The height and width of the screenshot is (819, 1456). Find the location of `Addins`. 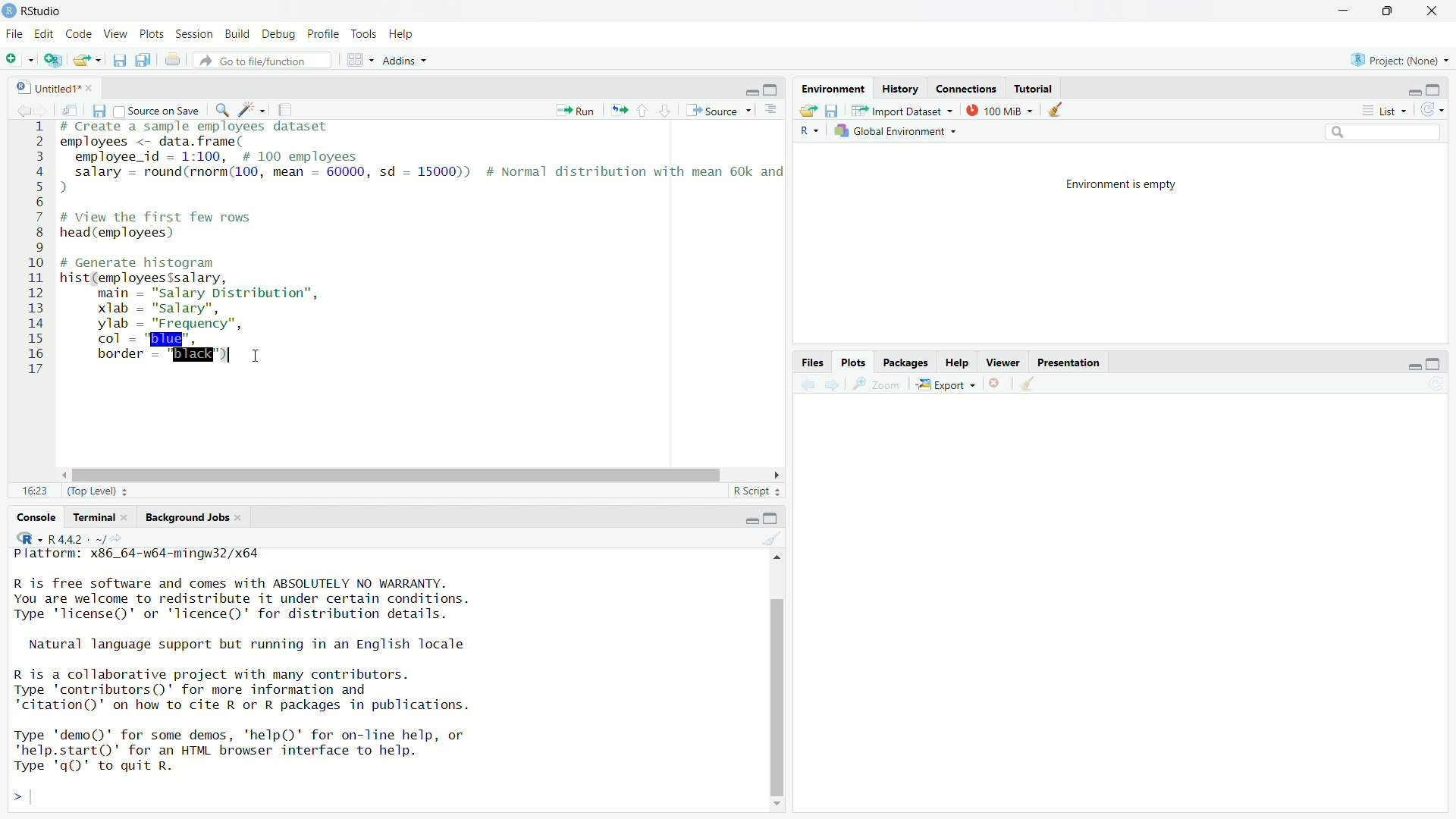

Addins is located at coordinates (406, 61).